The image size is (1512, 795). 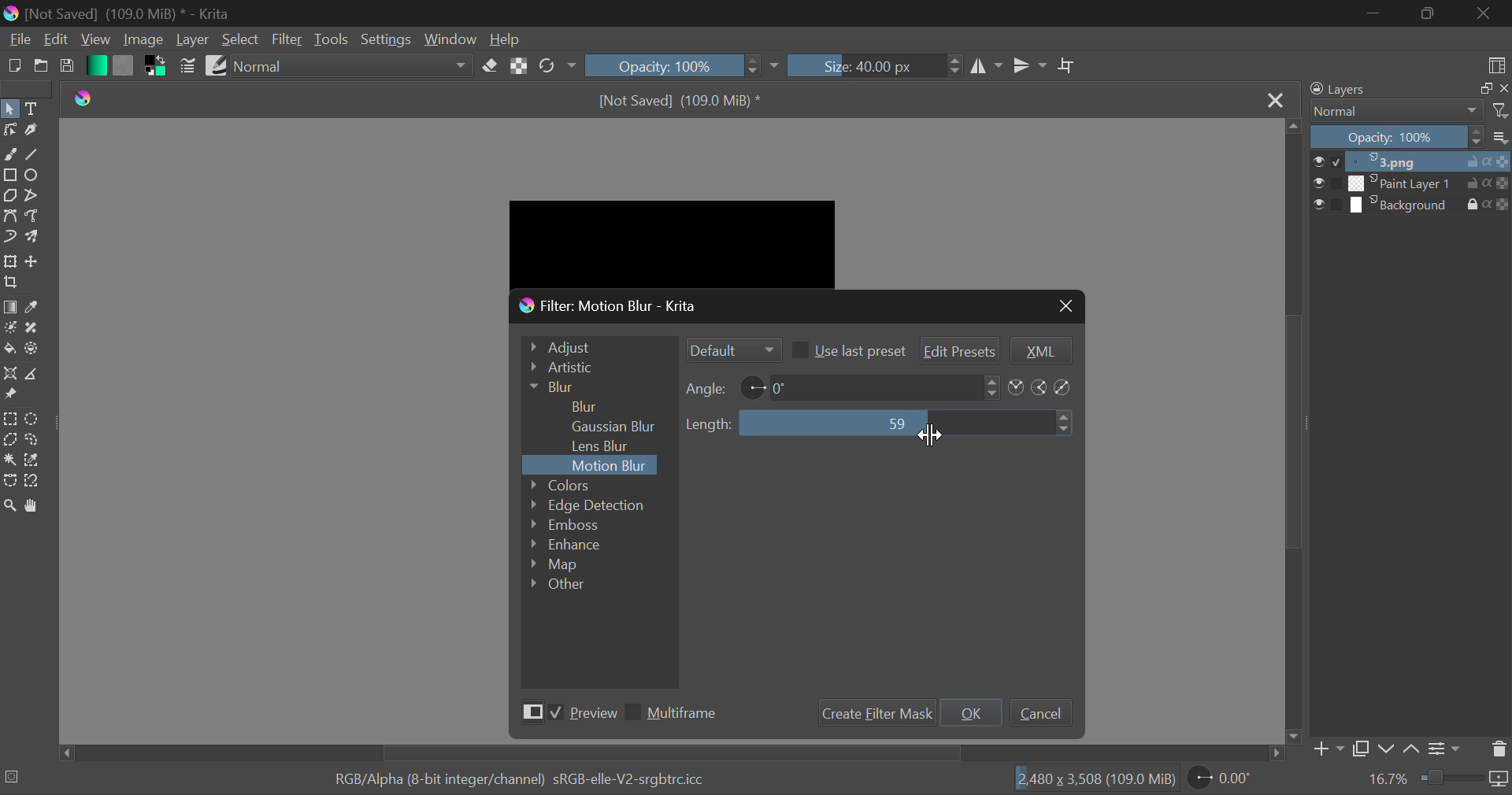 What do you see at coordinates (595, 368) in the screenshot?
I see `Artistic` at bounding box center [595, 368].